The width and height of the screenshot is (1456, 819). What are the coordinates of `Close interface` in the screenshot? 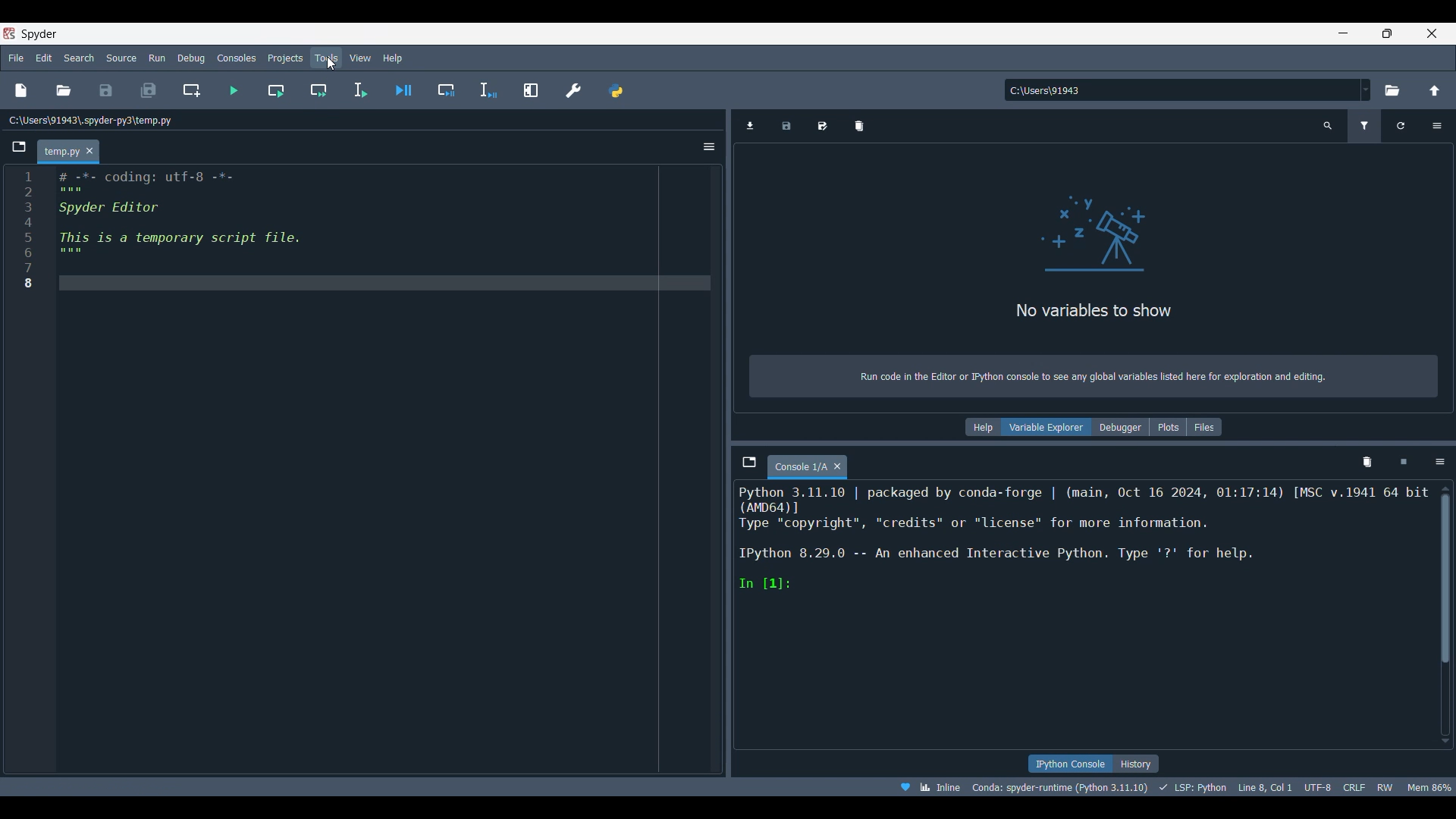 It's located at (1432, 33).